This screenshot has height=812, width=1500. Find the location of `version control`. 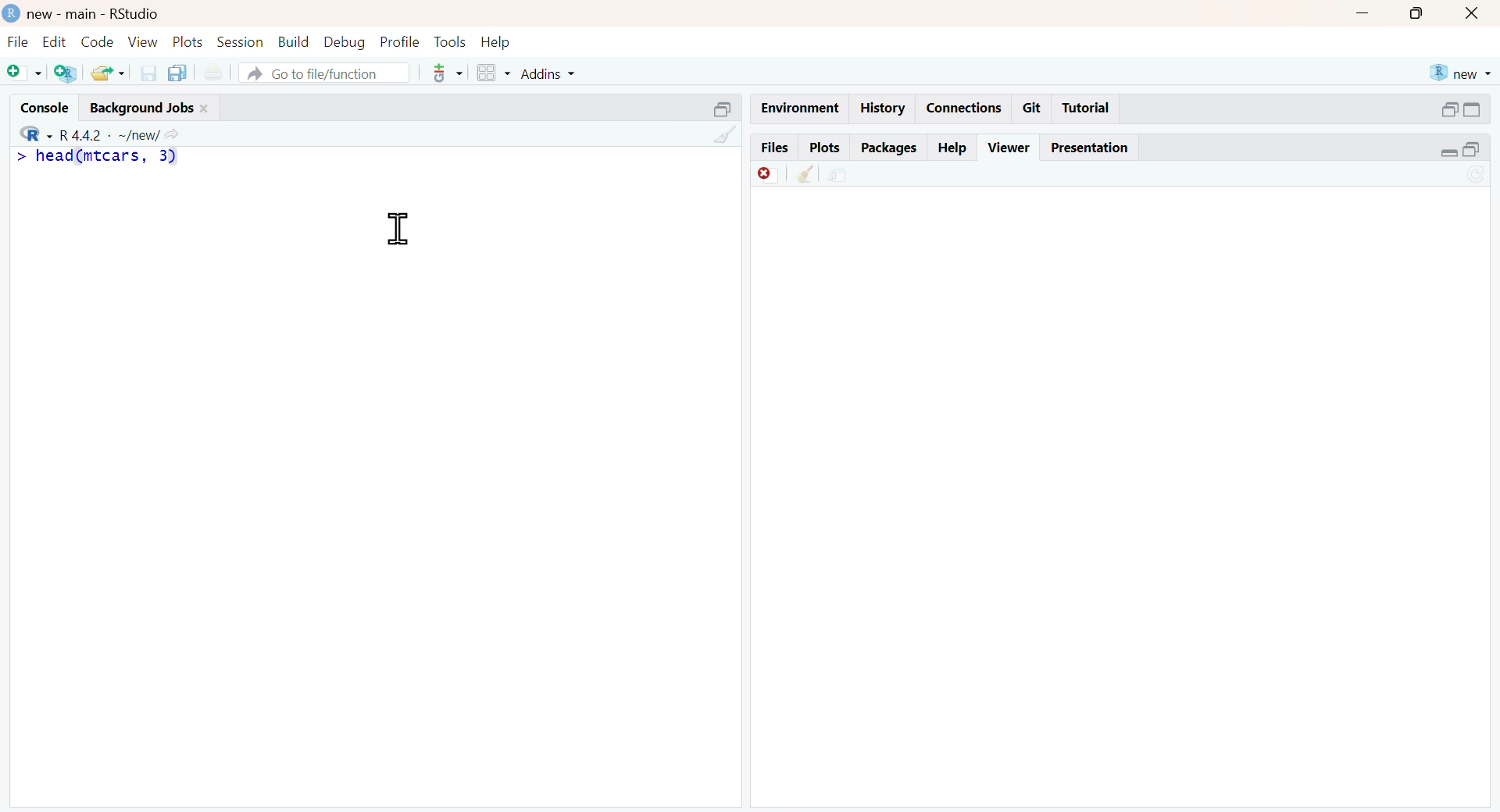

version control is located at coordinates (444, 73).